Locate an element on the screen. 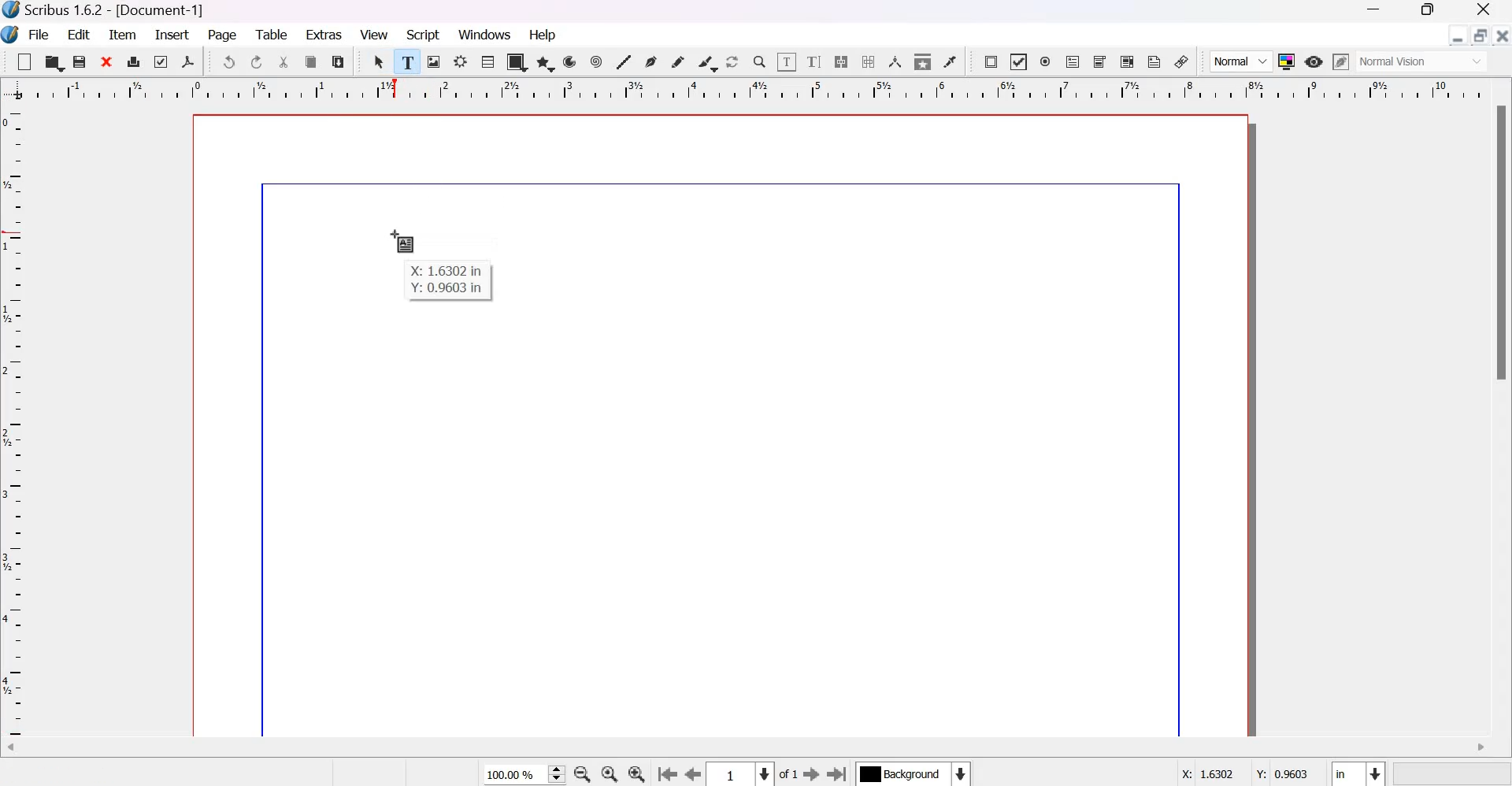  PDF list box is located at coordinates (1128, 61).